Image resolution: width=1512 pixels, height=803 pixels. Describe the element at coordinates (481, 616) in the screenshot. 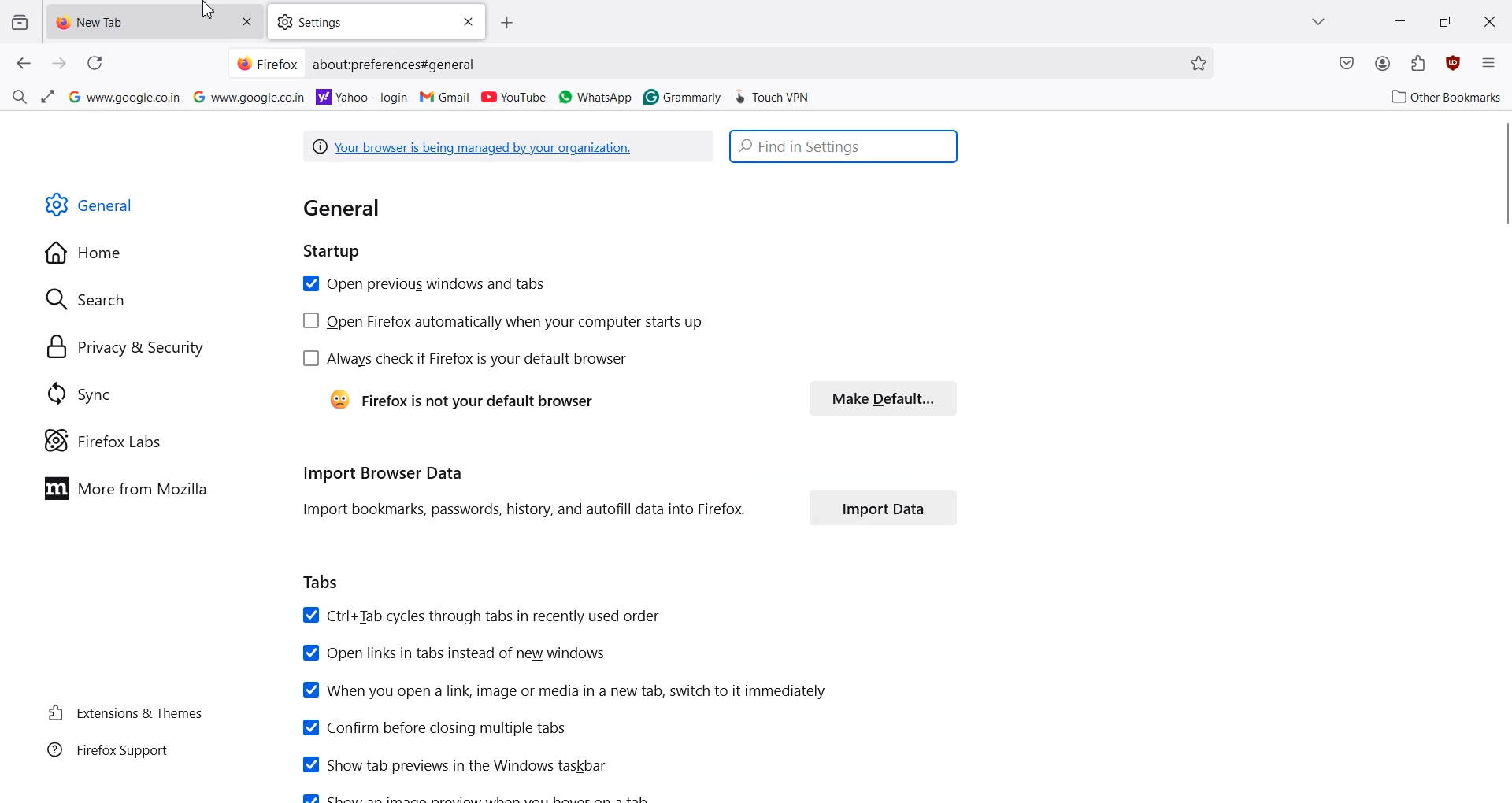

I see `Ctrl+Tab cycles through tabs in recently used order` at that location.